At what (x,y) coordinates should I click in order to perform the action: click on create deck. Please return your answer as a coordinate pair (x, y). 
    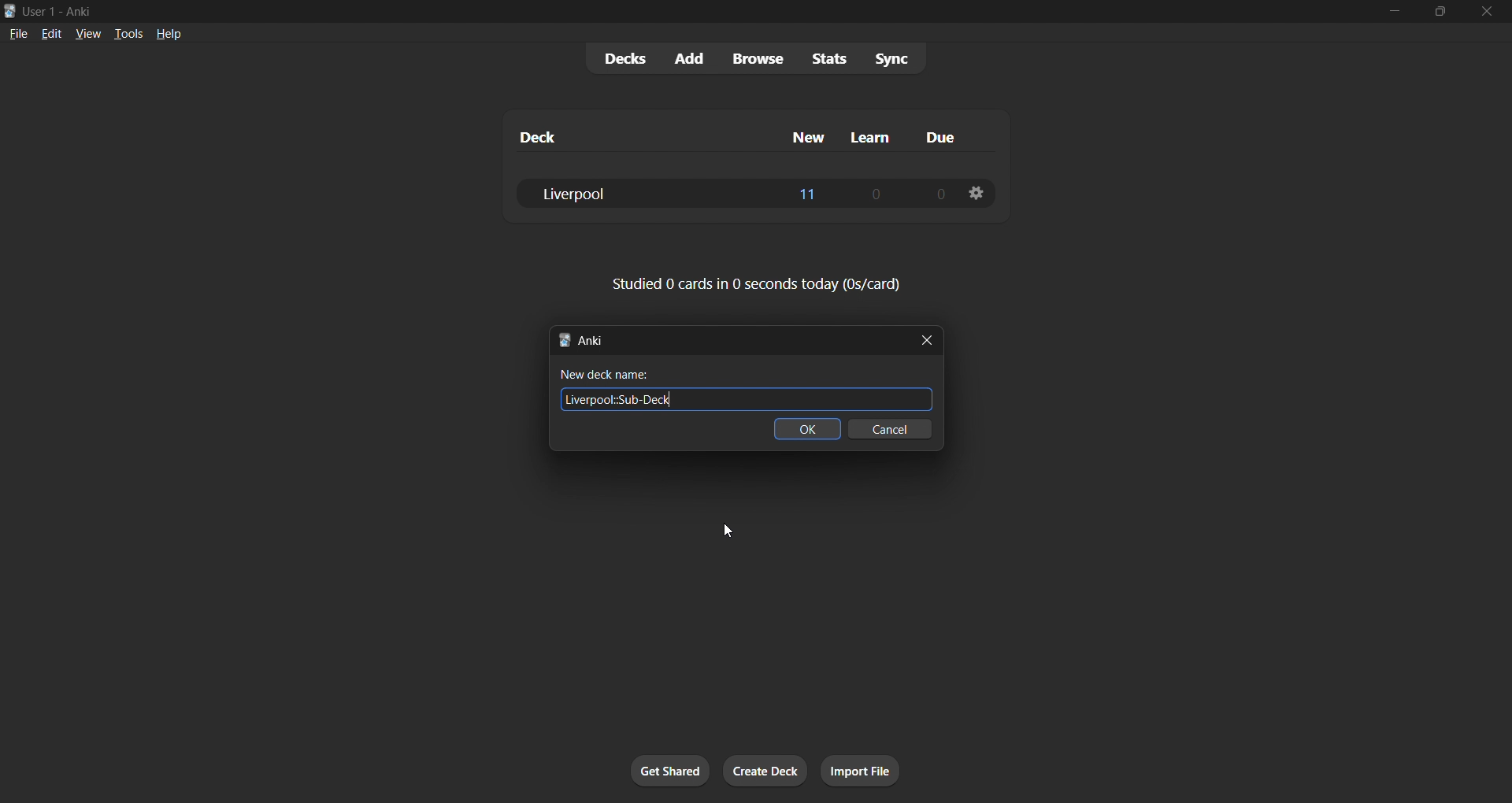
    Looking at the image, I should click on (769, 772).